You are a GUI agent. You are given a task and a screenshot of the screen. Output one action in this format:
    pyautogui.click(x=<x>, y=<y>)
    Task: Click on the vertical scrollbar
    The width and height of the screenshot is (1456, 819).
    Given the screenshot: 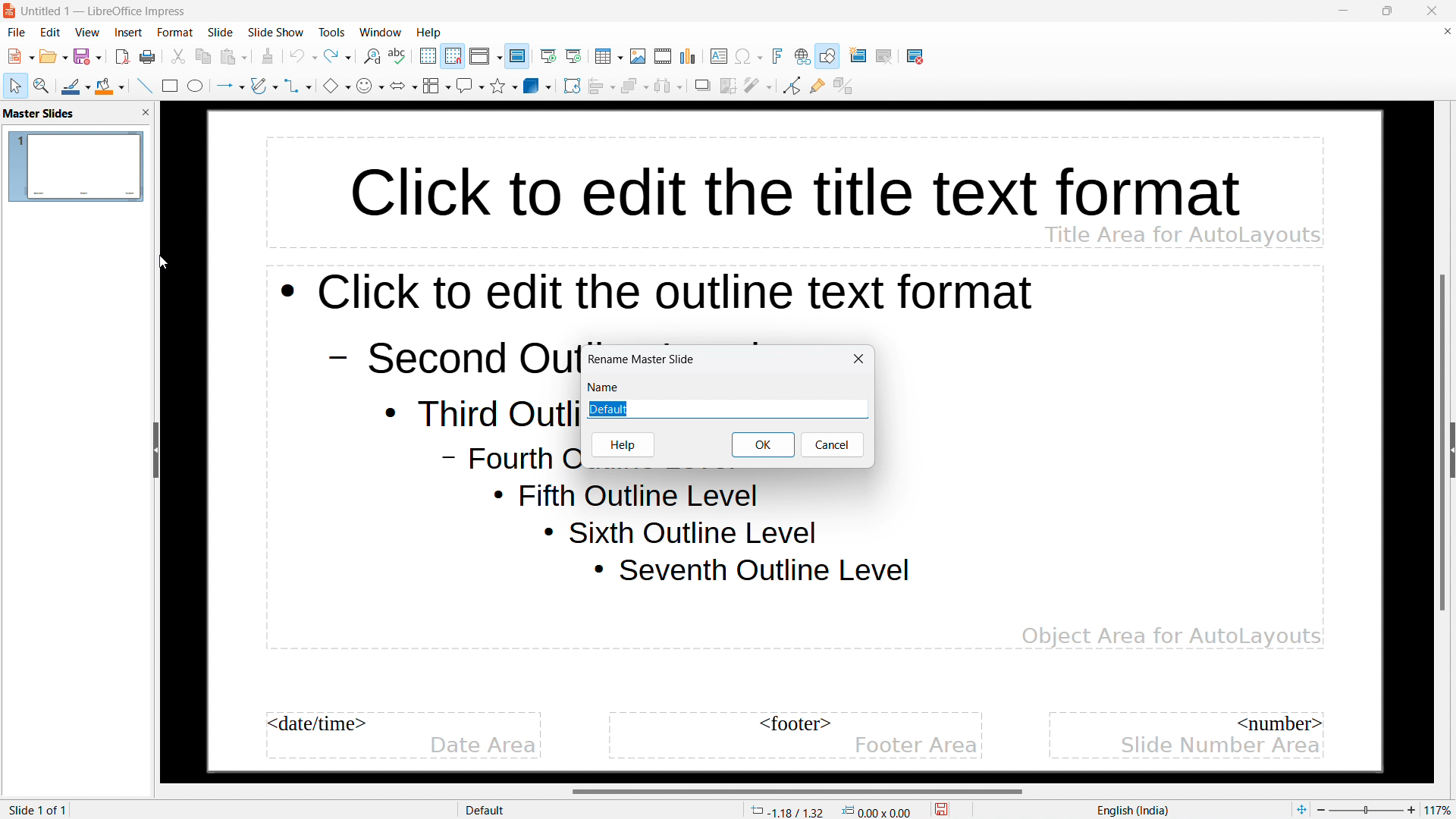 What is the action you would take?
    pyautogui.click(x=1440, y=443)
    